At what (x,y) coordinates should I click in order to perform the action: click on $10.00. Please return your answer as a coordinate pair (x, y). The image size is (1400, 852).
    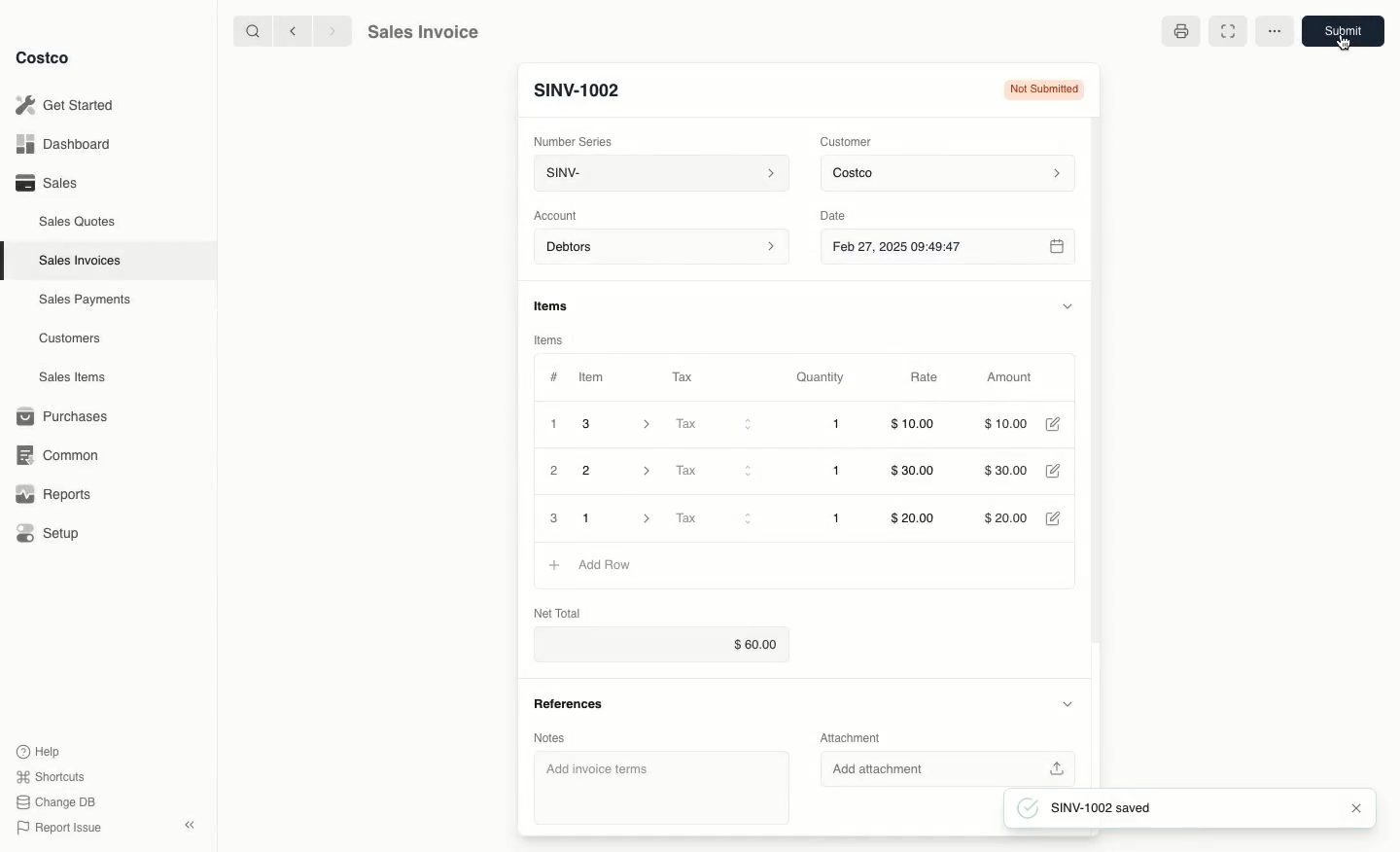
    Looking at the image, I should click on (914, 427).